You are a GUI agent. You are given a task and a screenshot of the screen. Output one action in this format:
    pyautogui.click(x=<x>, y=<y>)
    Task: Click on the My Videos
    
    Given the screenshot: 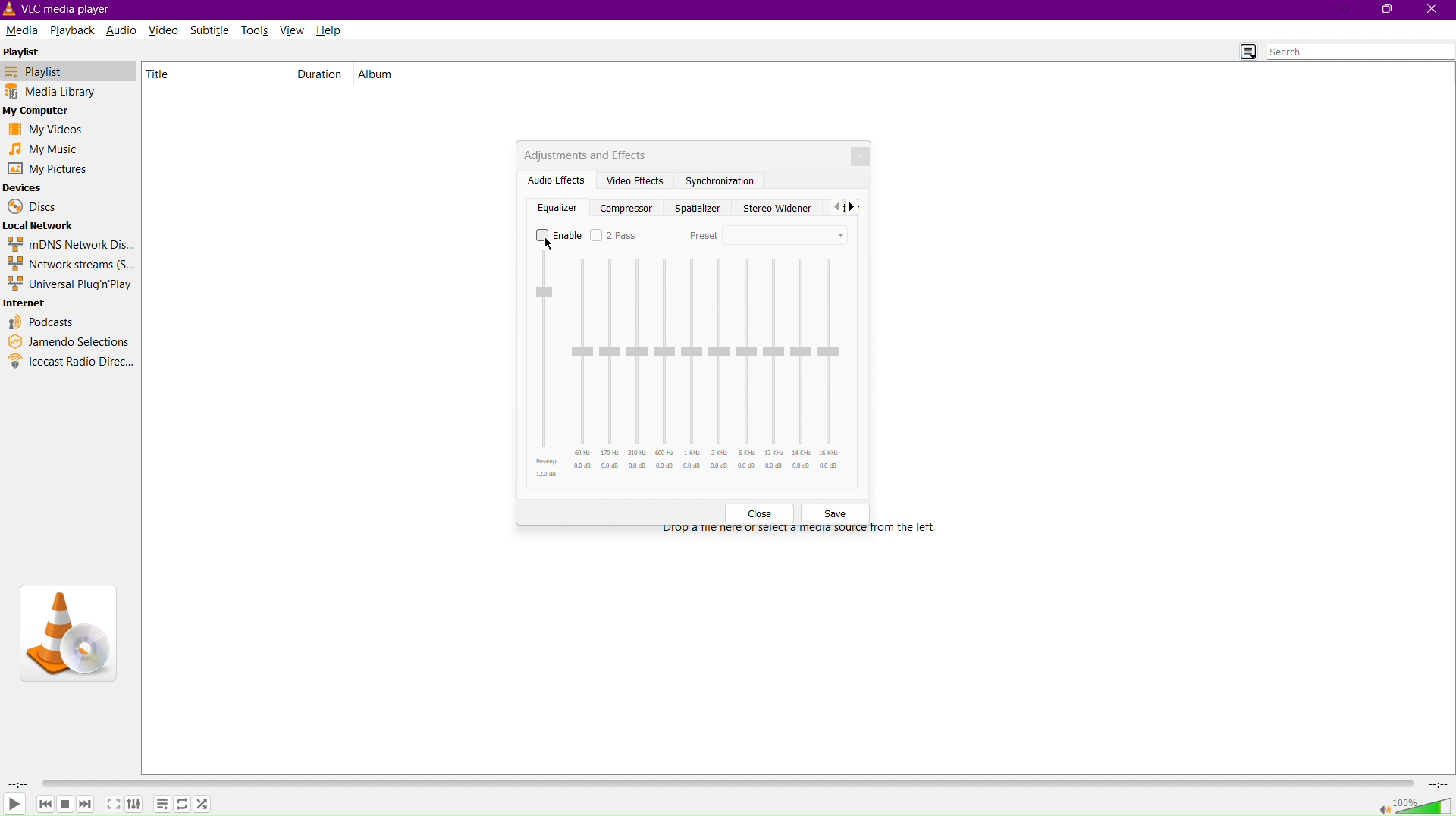 What is the action you would take?
    pyautogui.click(x=49, y=130)
    